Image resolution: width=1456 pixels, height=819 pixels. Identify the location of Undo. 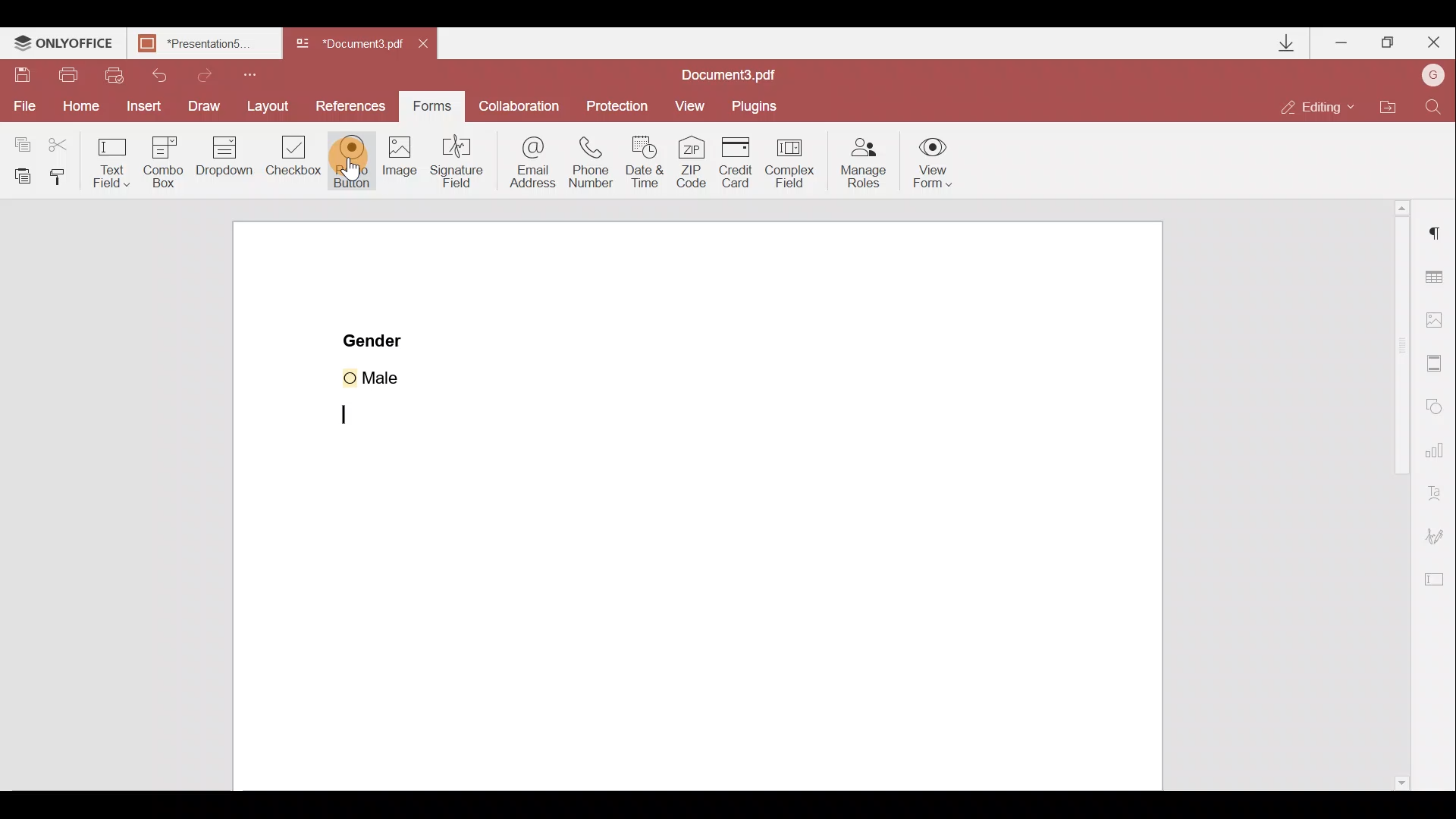
(167, 74).